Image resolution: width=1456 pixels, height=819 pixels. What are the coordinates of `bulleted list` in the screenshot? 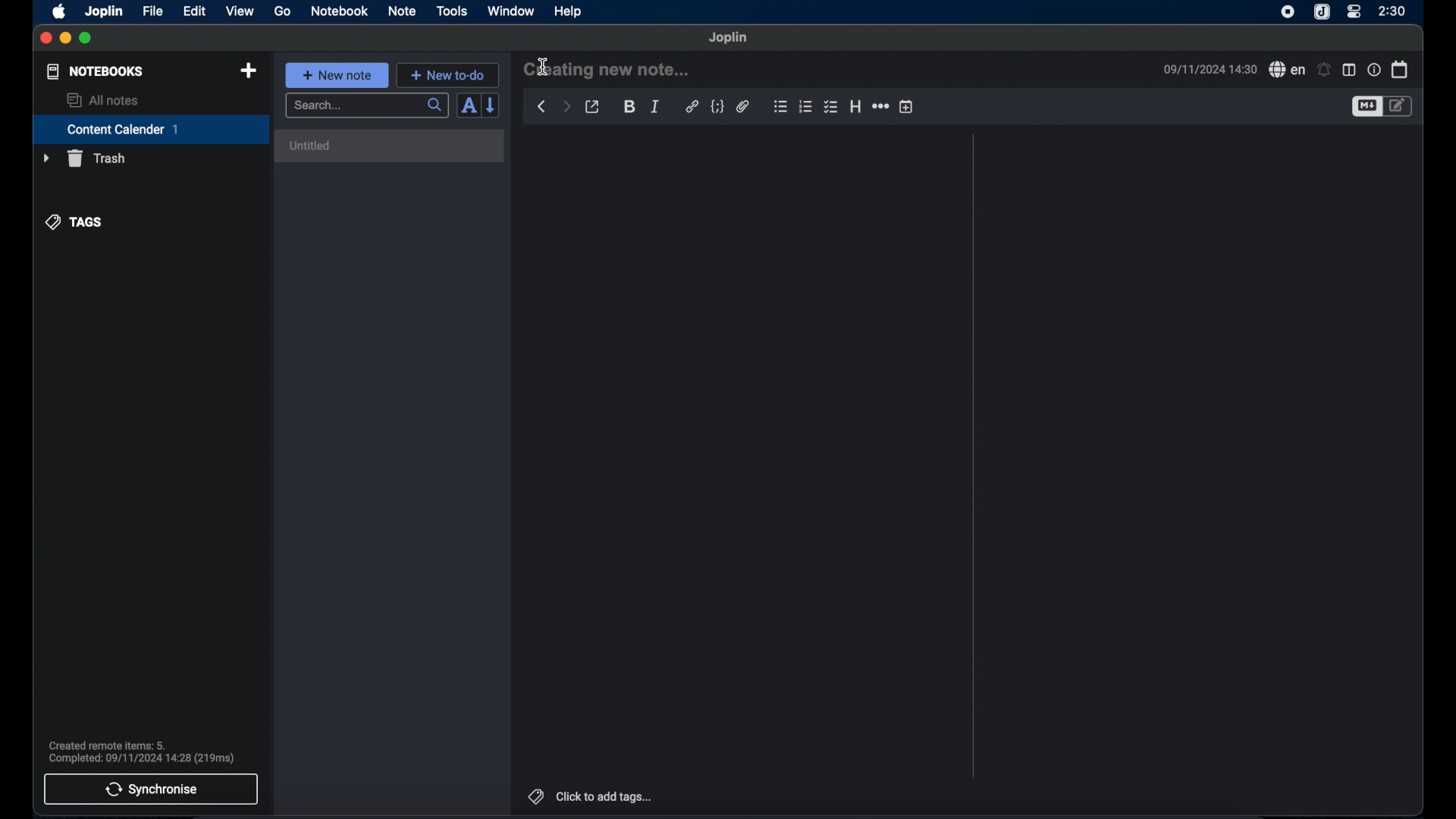 It's located at (780, 106).